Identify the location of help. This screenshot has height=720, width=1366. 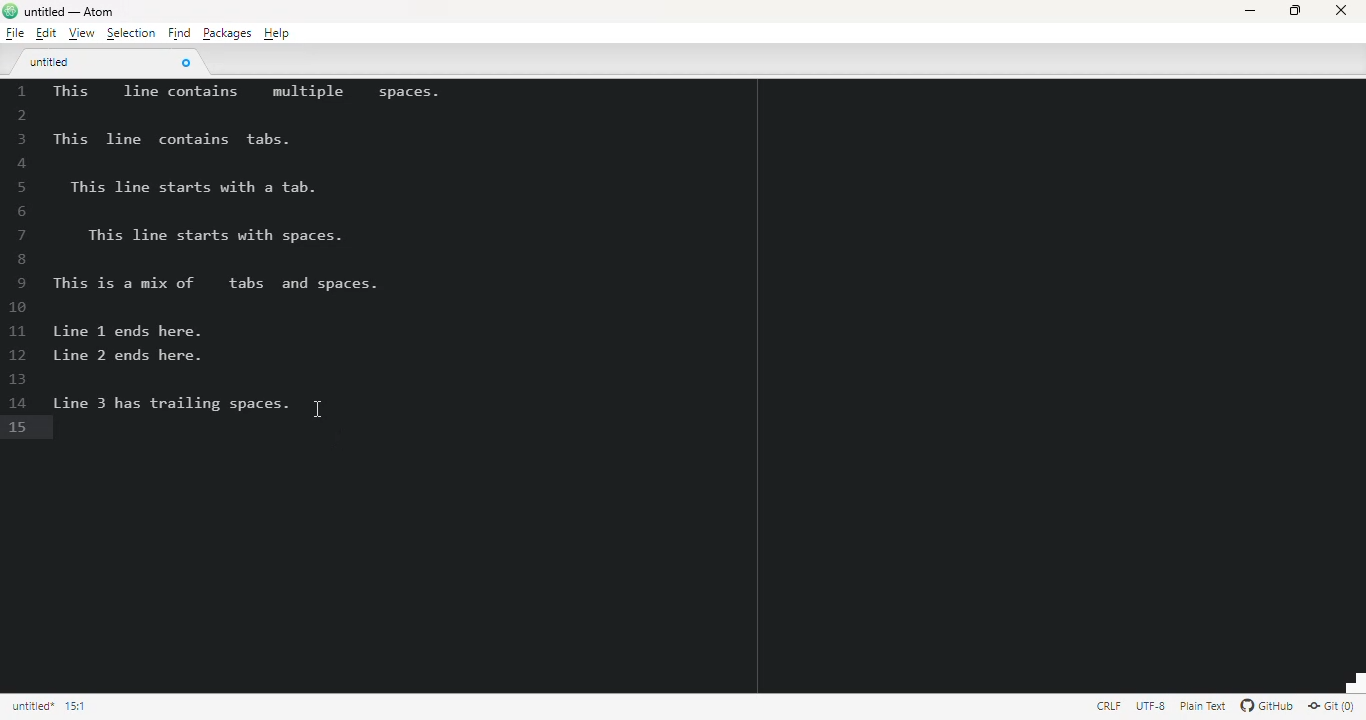
(277, 33).